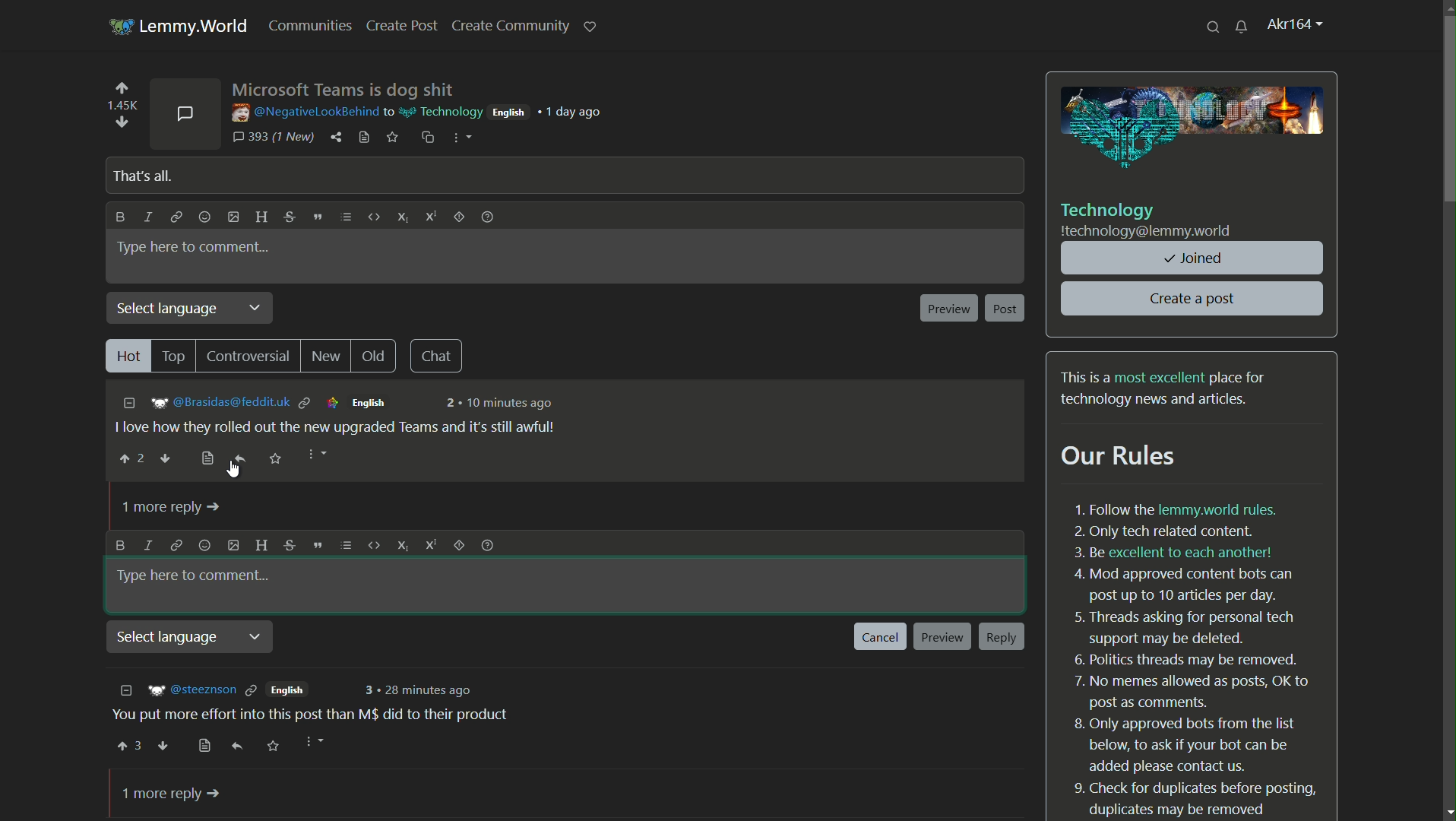 This screenshot has height=821, width=1456. What do you see at coordinates (289, 217) in the screenshot?
I see `strikethrough` at bounding box center [289, 217].